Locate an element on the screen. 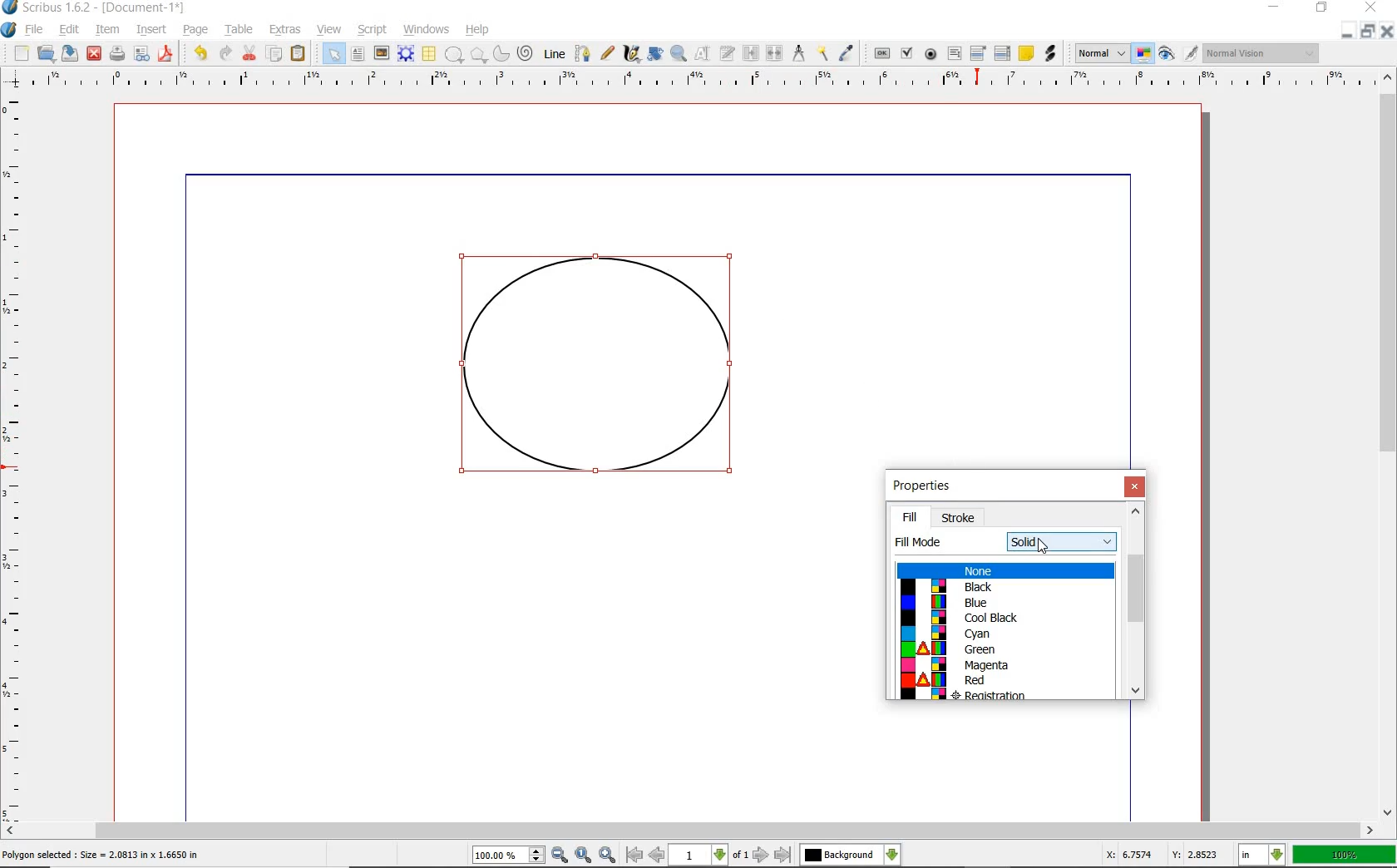 This screenshot has height=868, width=1397. POLYGON is located at coordinates (478, 55).